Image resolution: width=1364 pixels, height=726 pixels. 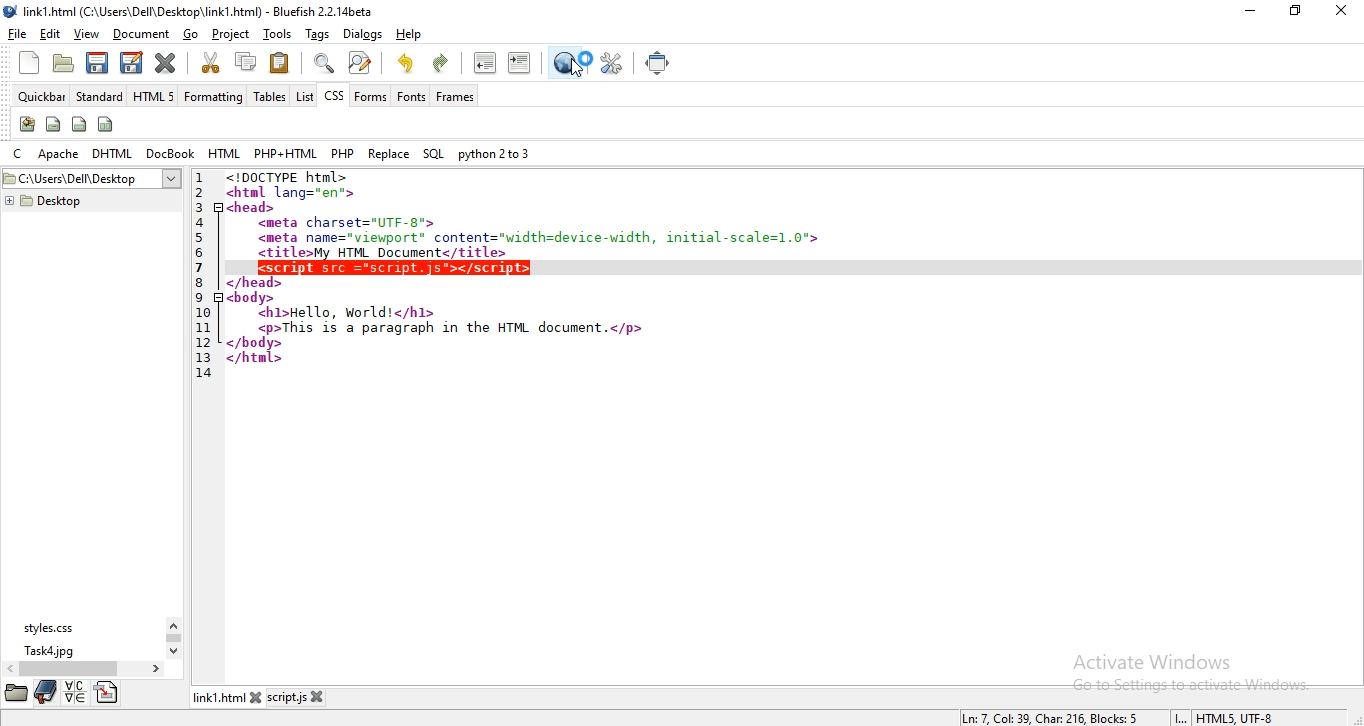 I want to click on line, column, character, block numbers, so click(x=1046, y=718).